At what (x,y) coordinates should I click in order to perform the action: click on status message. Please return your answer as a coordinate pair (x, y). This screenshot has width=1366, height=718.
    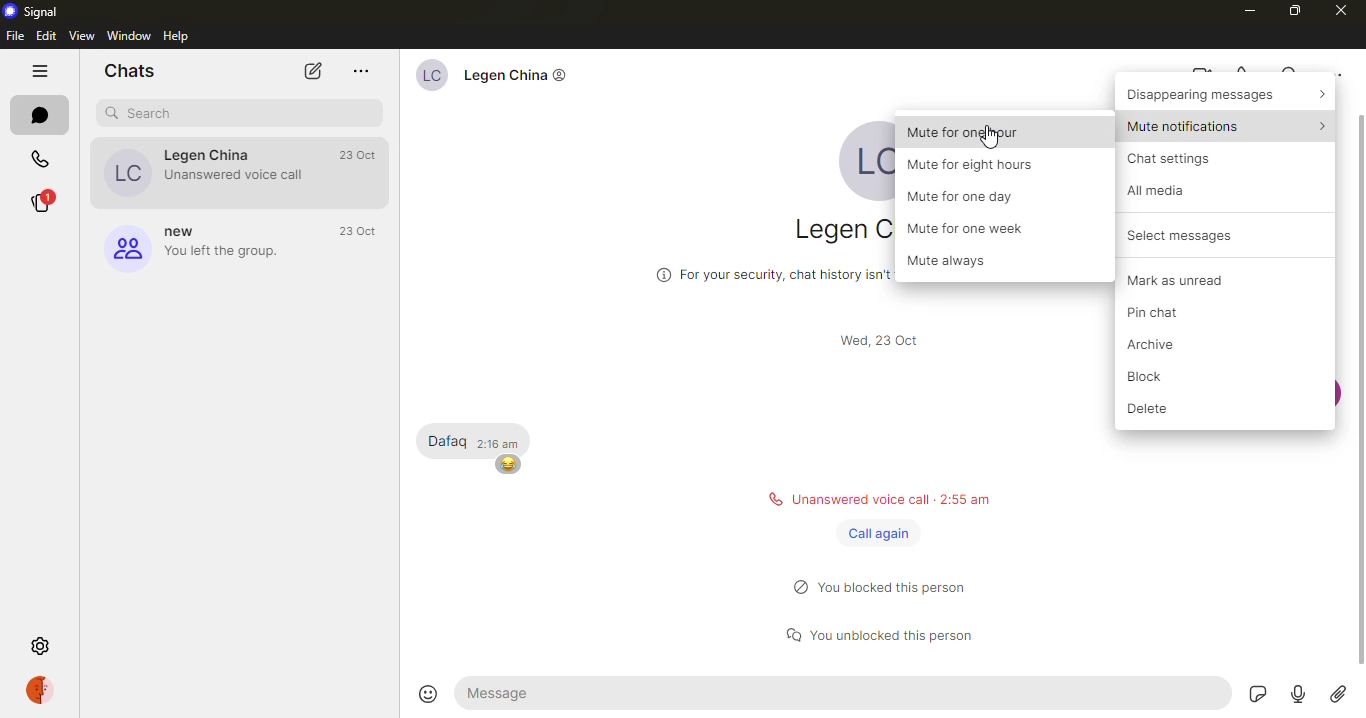
    Looking at the image, I should click on (892, 631).